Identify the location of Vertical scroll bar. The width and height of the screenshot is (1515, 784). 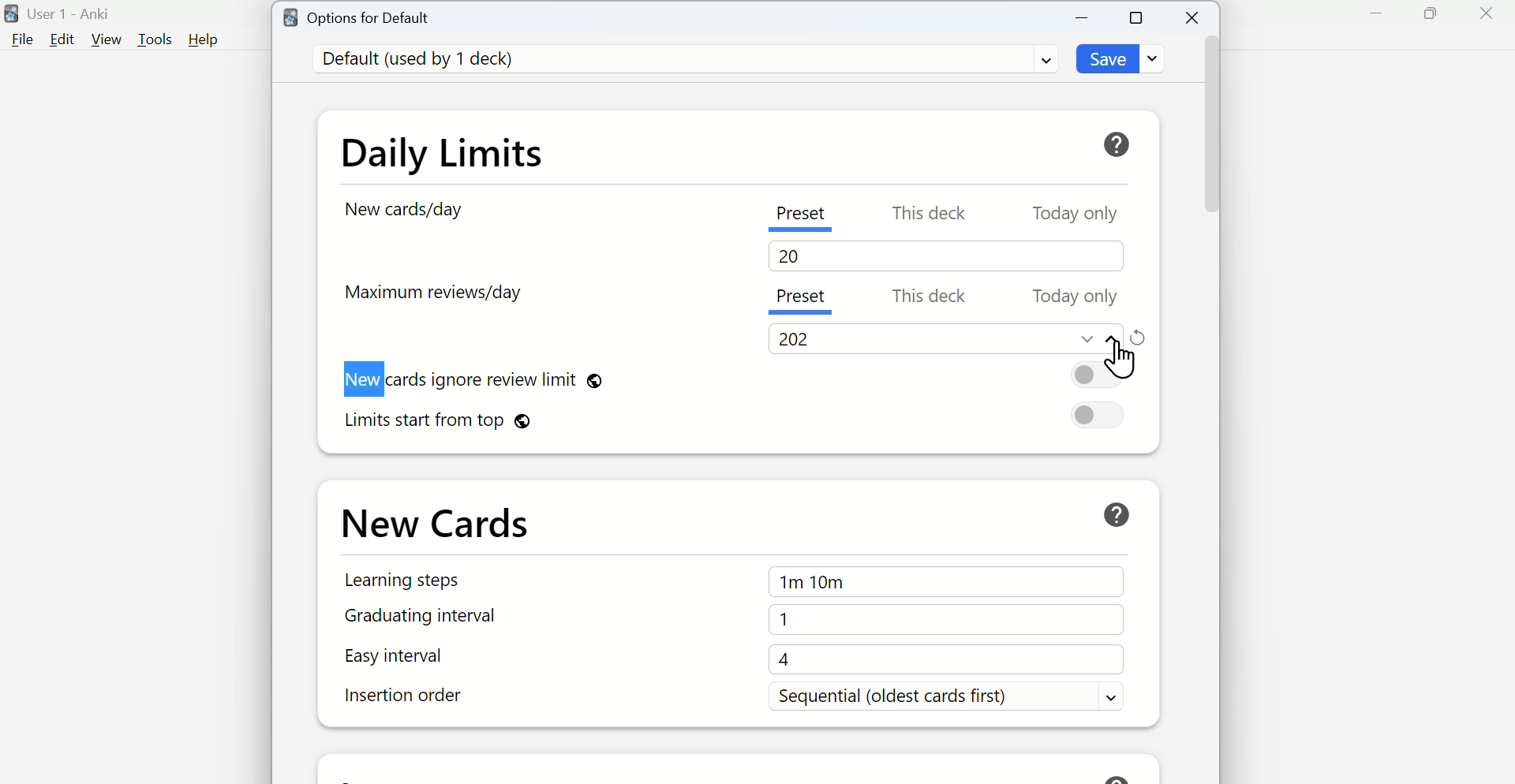
(1210, 407).